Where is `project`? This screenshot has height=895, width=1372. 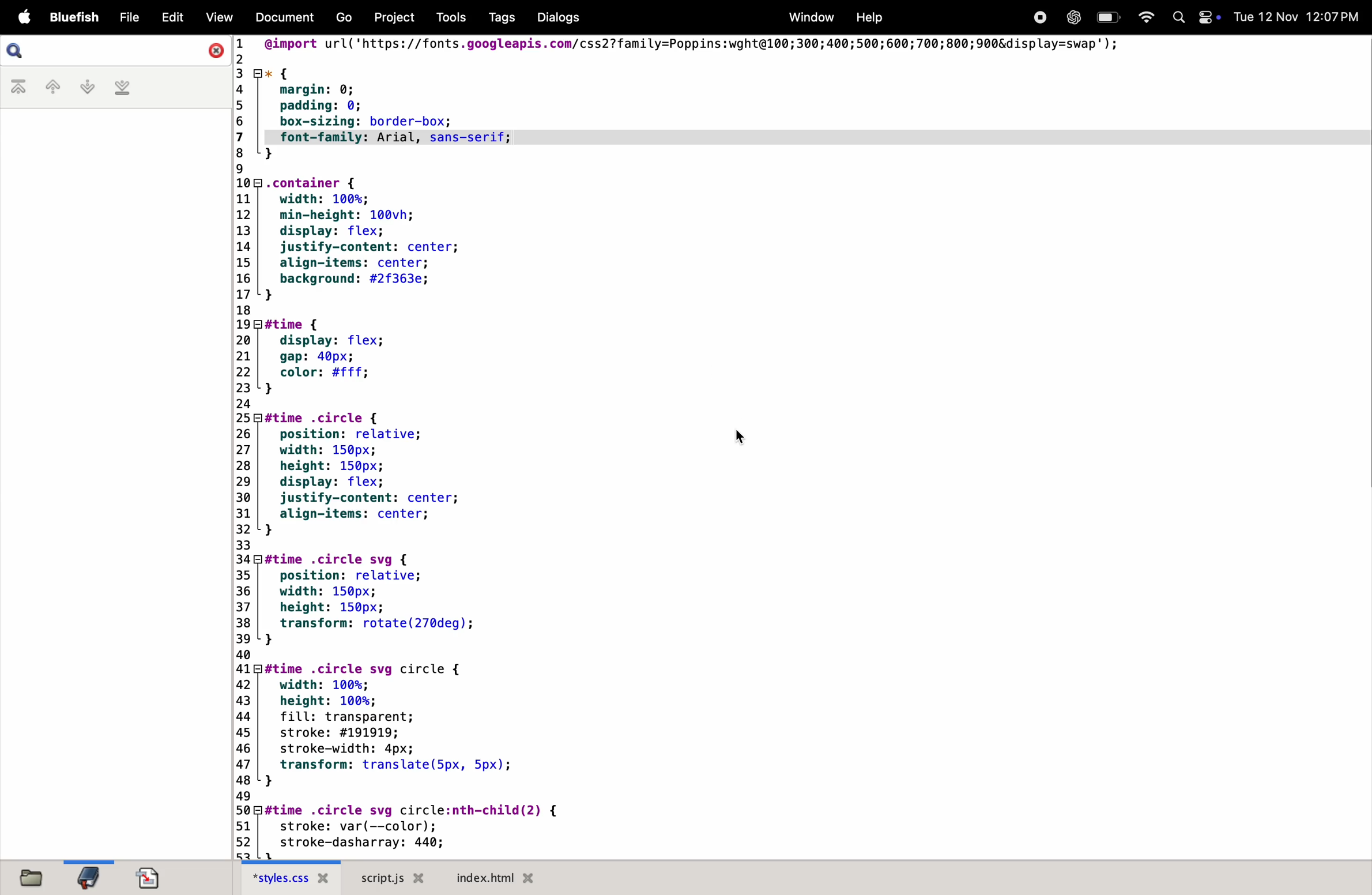
project is located at coordinates (390, 17).